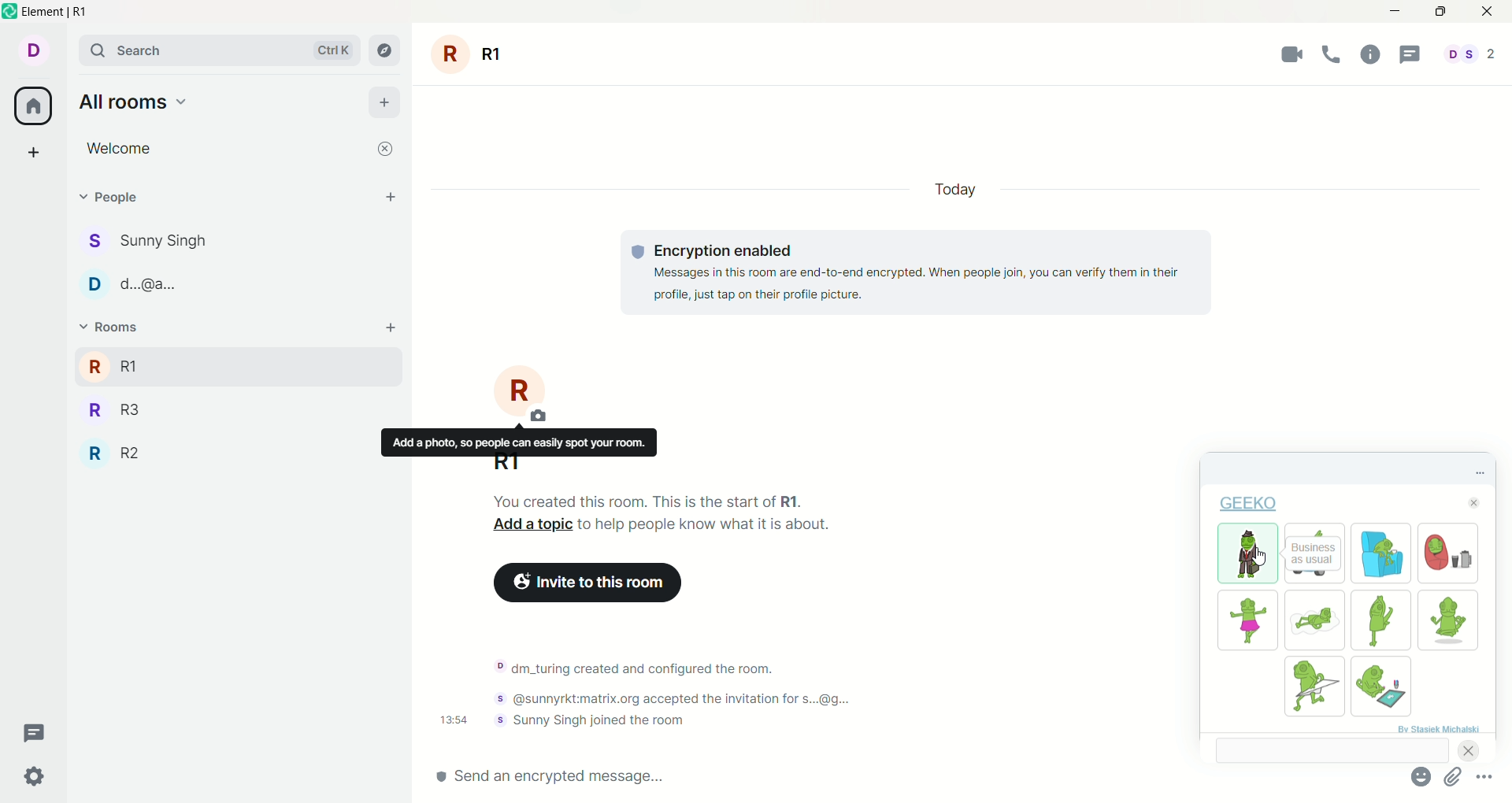  Describe the element at coordinates (506, 464) in the screenshot. I see `R1 - current room name` at that location.